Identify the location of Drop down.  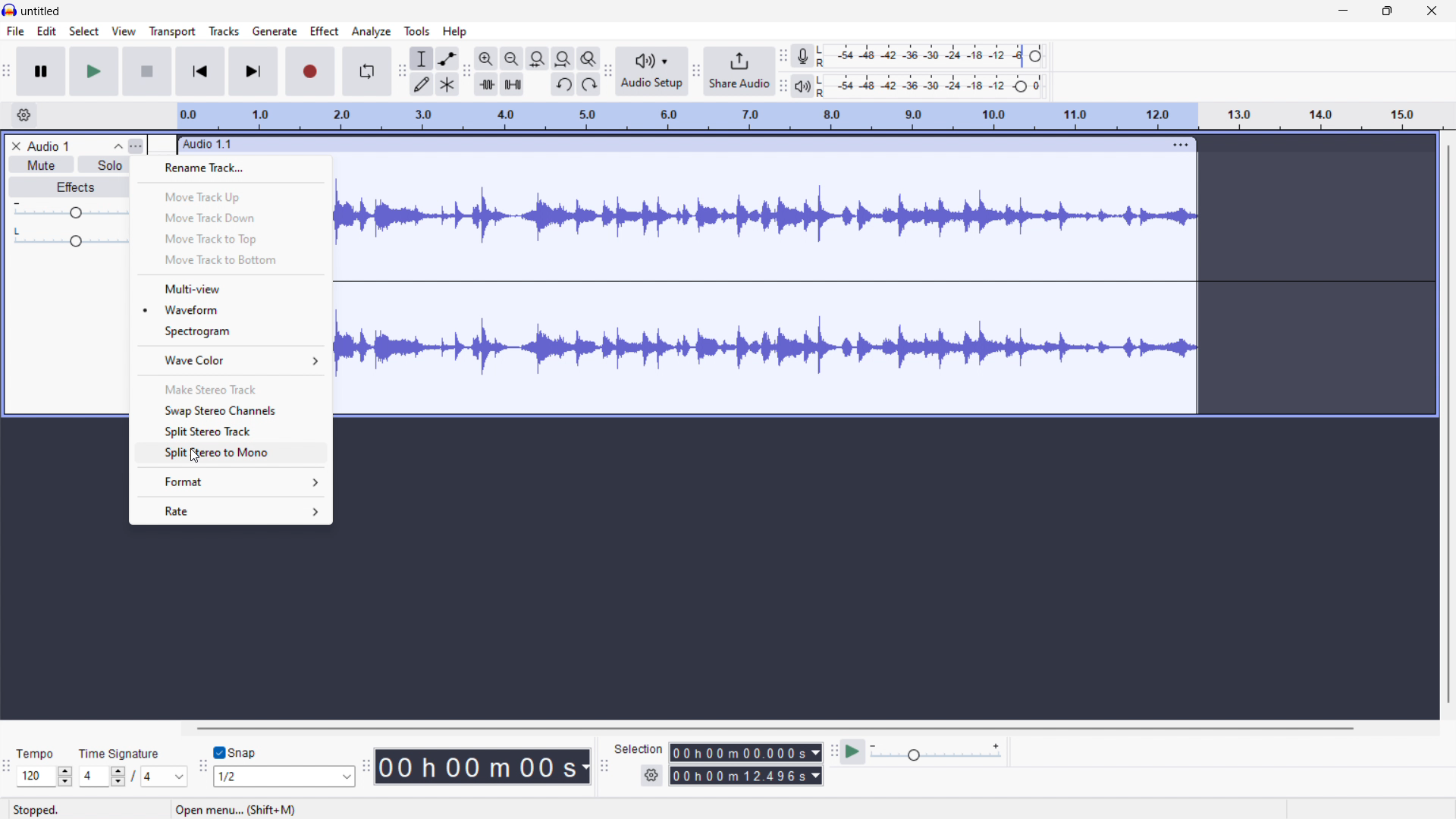
(343, 777).